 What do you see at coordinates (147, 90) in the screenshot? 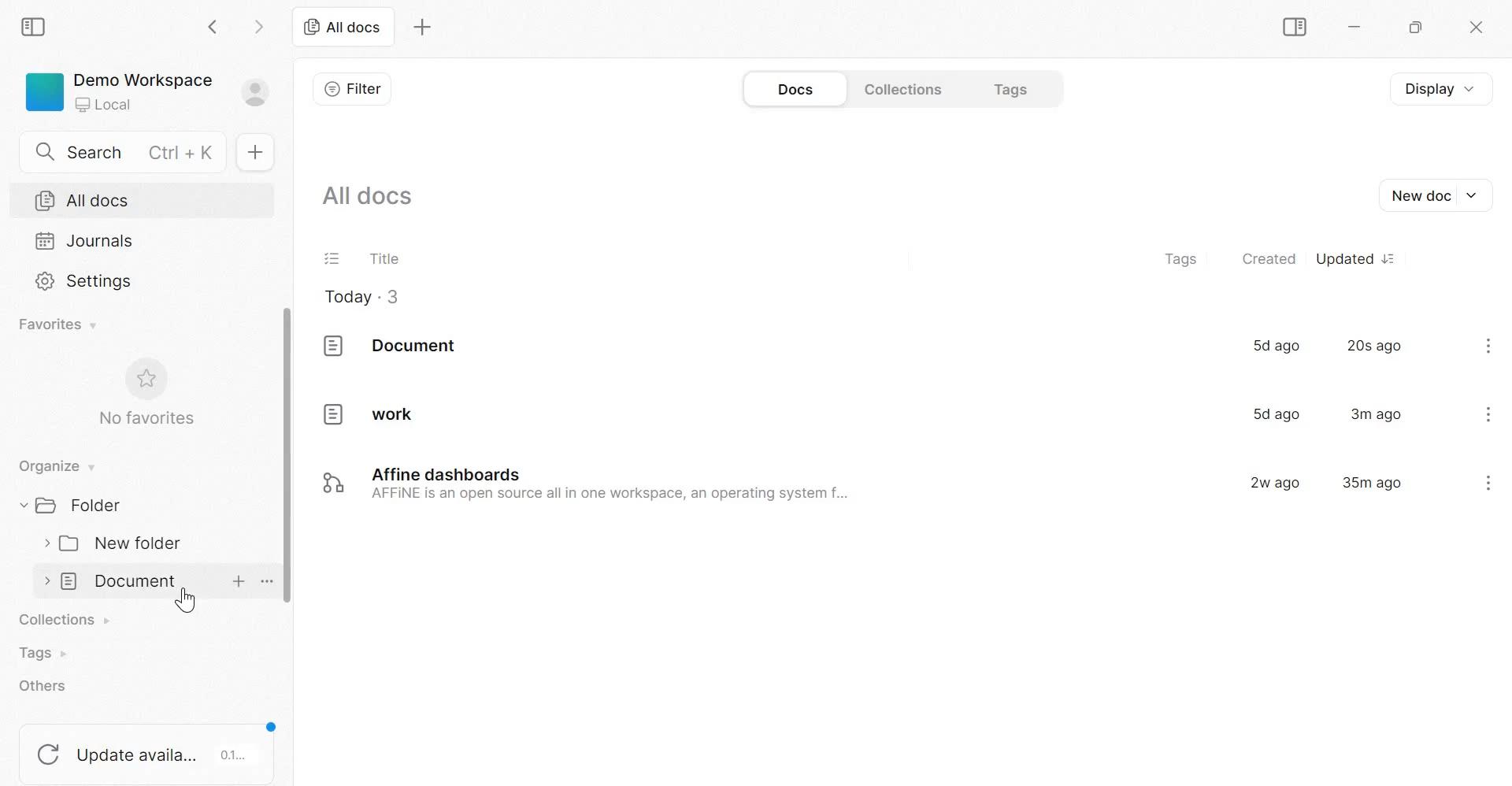
I see `Demo Workspace` at bounding box center [147, 90].